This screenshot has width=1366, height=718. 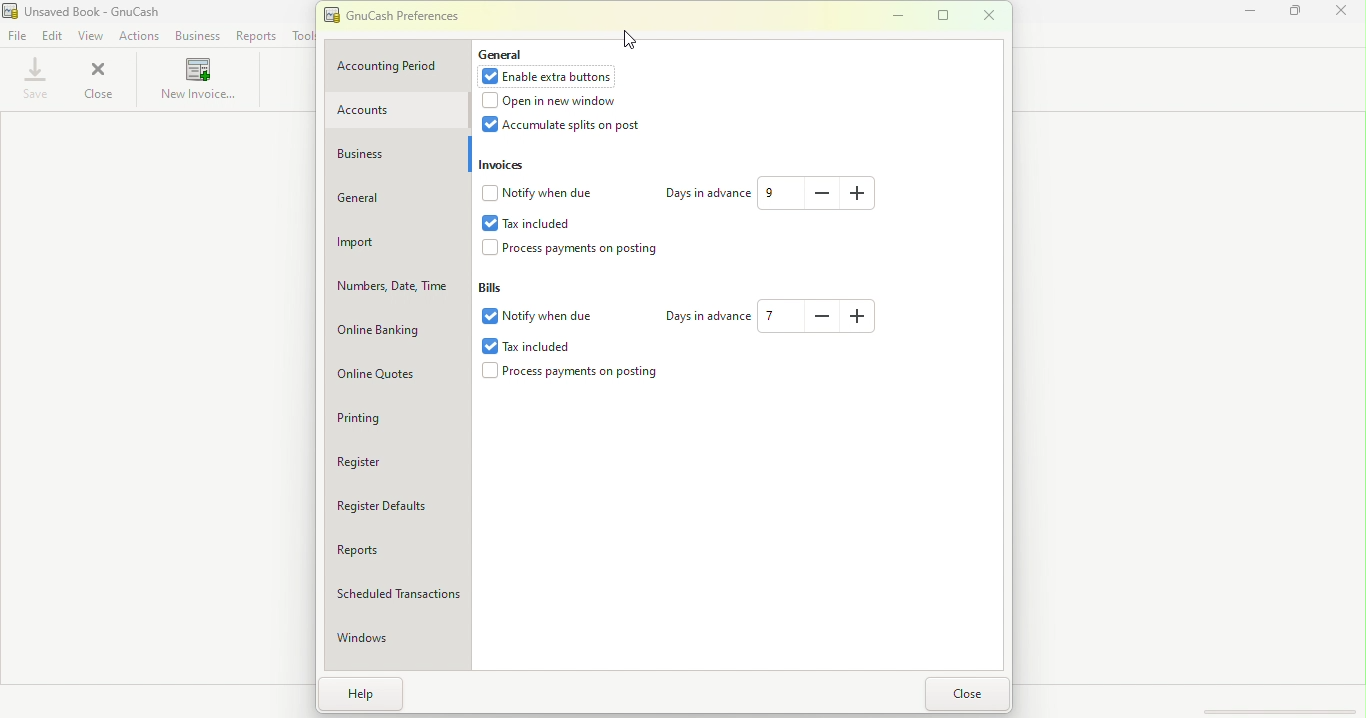 What do you see at coordinates (895, 20) in the screenshot?
I see `Minimize` at bounding box center [895, 20].